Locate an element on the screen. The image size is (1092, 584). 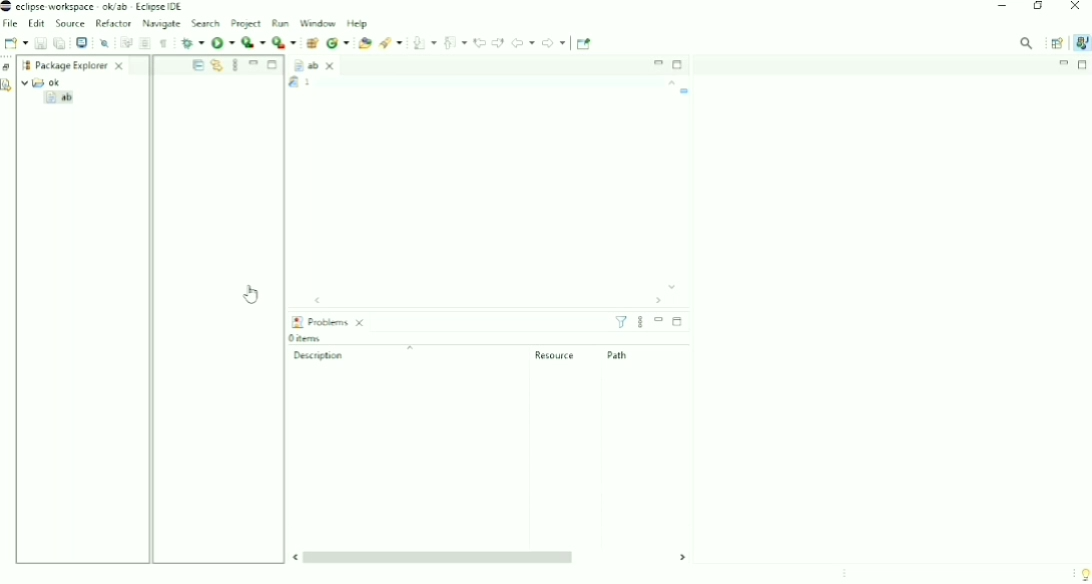
Vertical scrollbar is located at coordinates (670, 185).